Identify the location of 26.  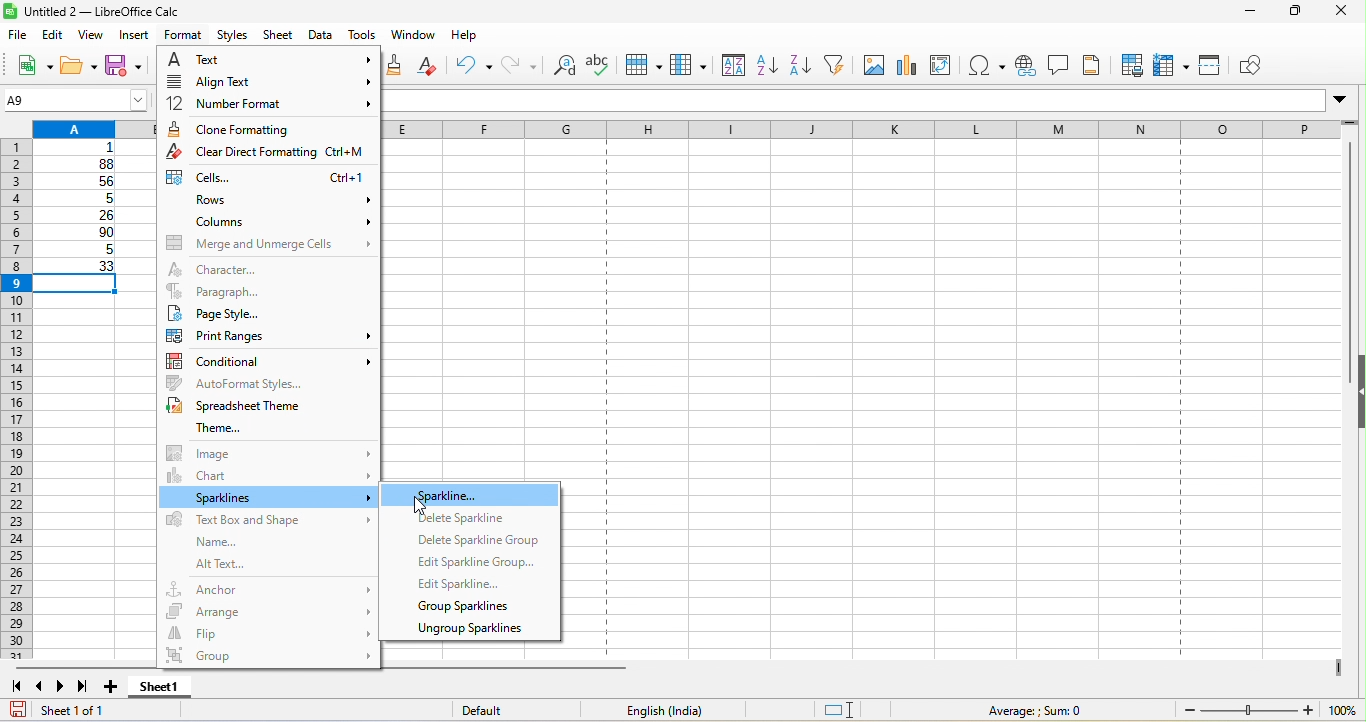
(79, 216).